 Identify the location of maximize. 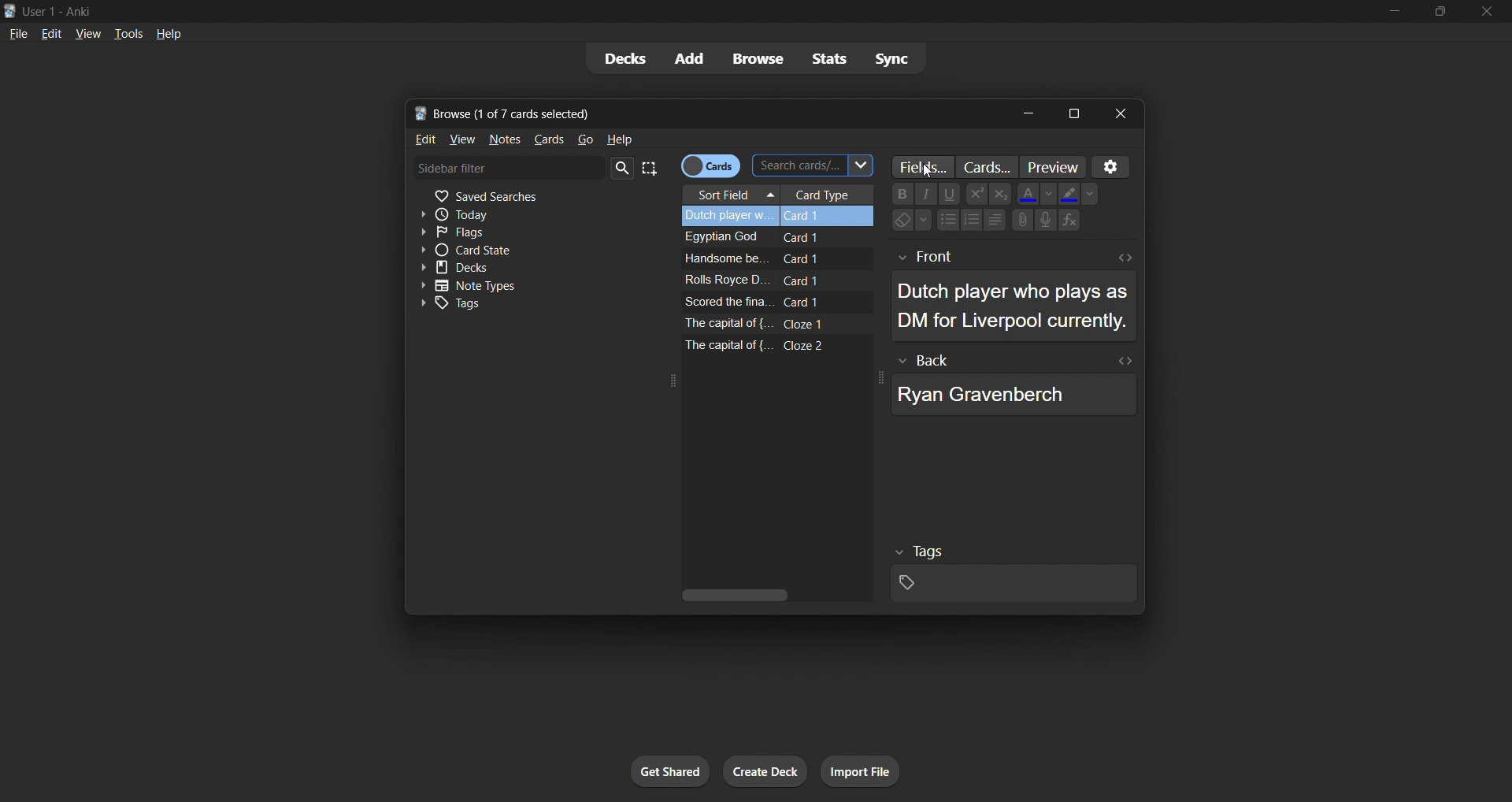
(1073, 114).